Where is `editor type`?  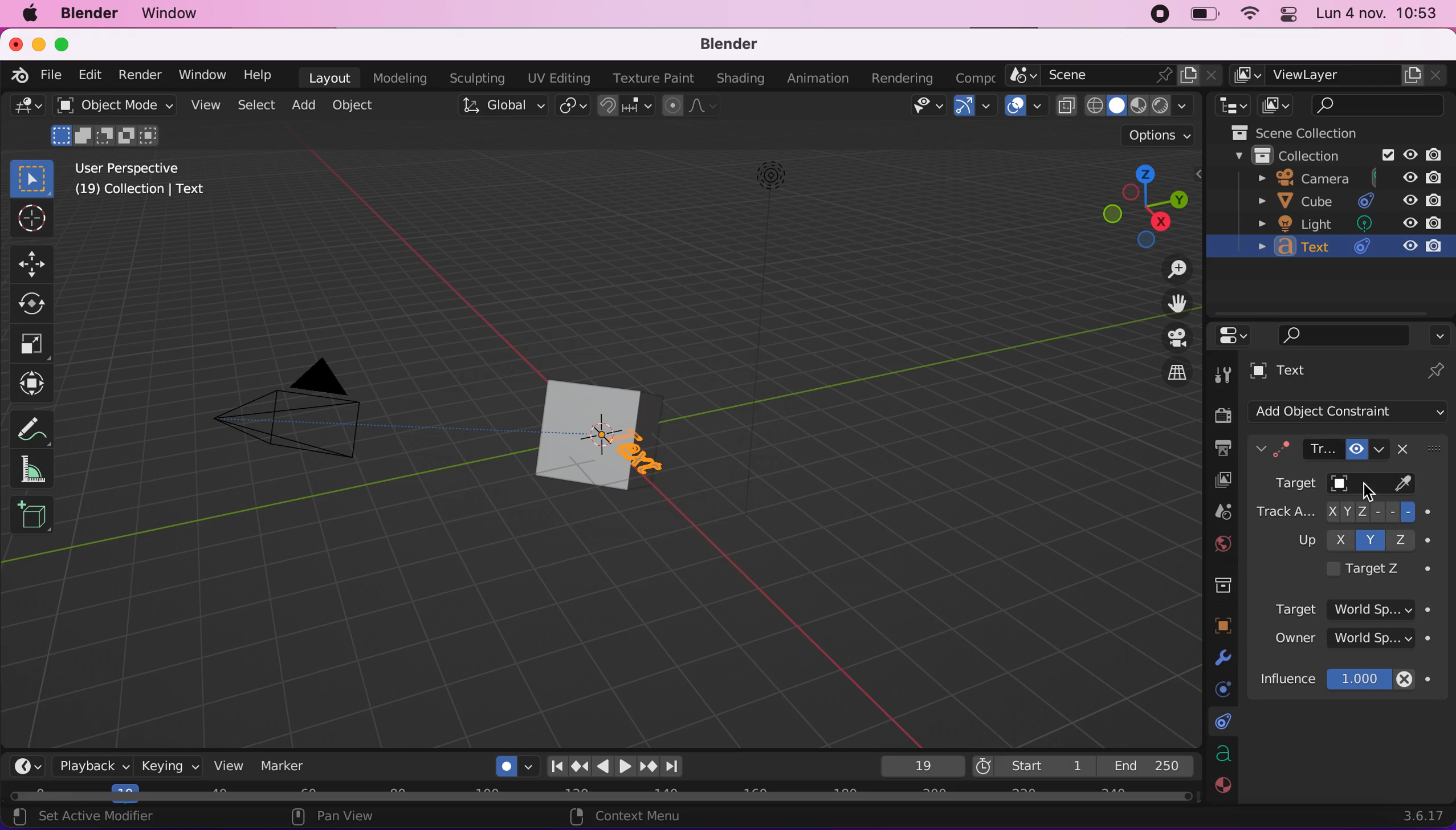
editor type is located at coordinates (24, 108).